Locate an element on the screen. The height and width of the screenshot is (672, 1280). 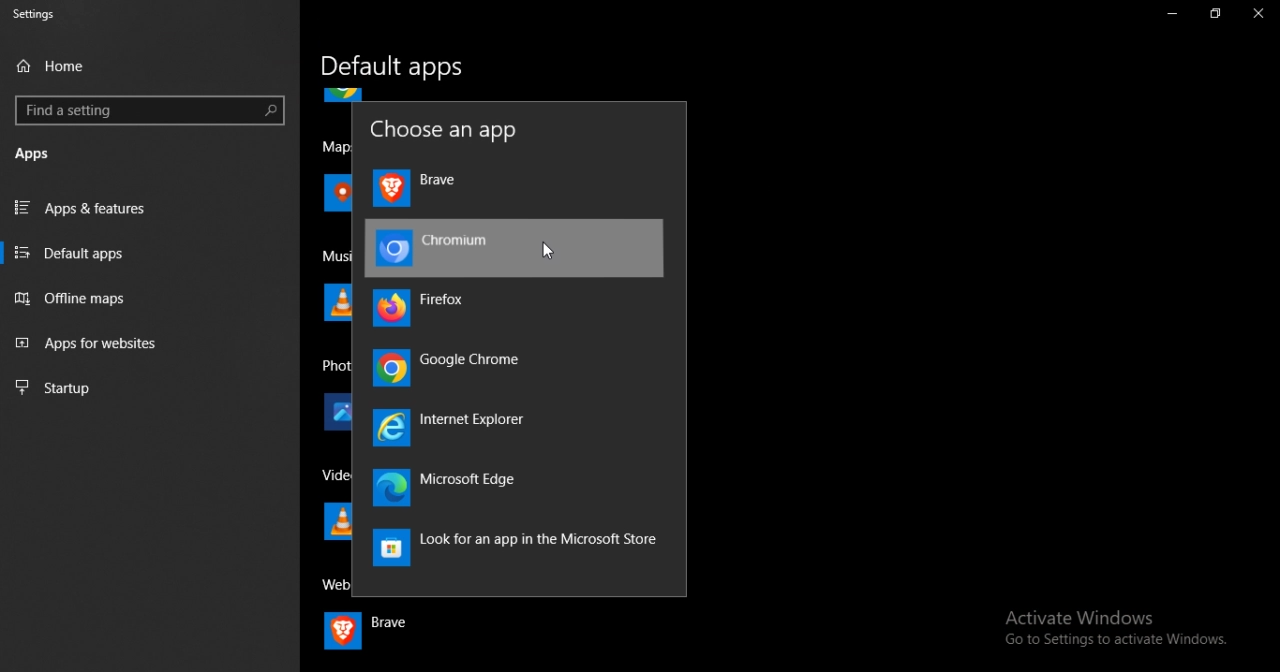
photo viewer is located at coordinates (336, 365).